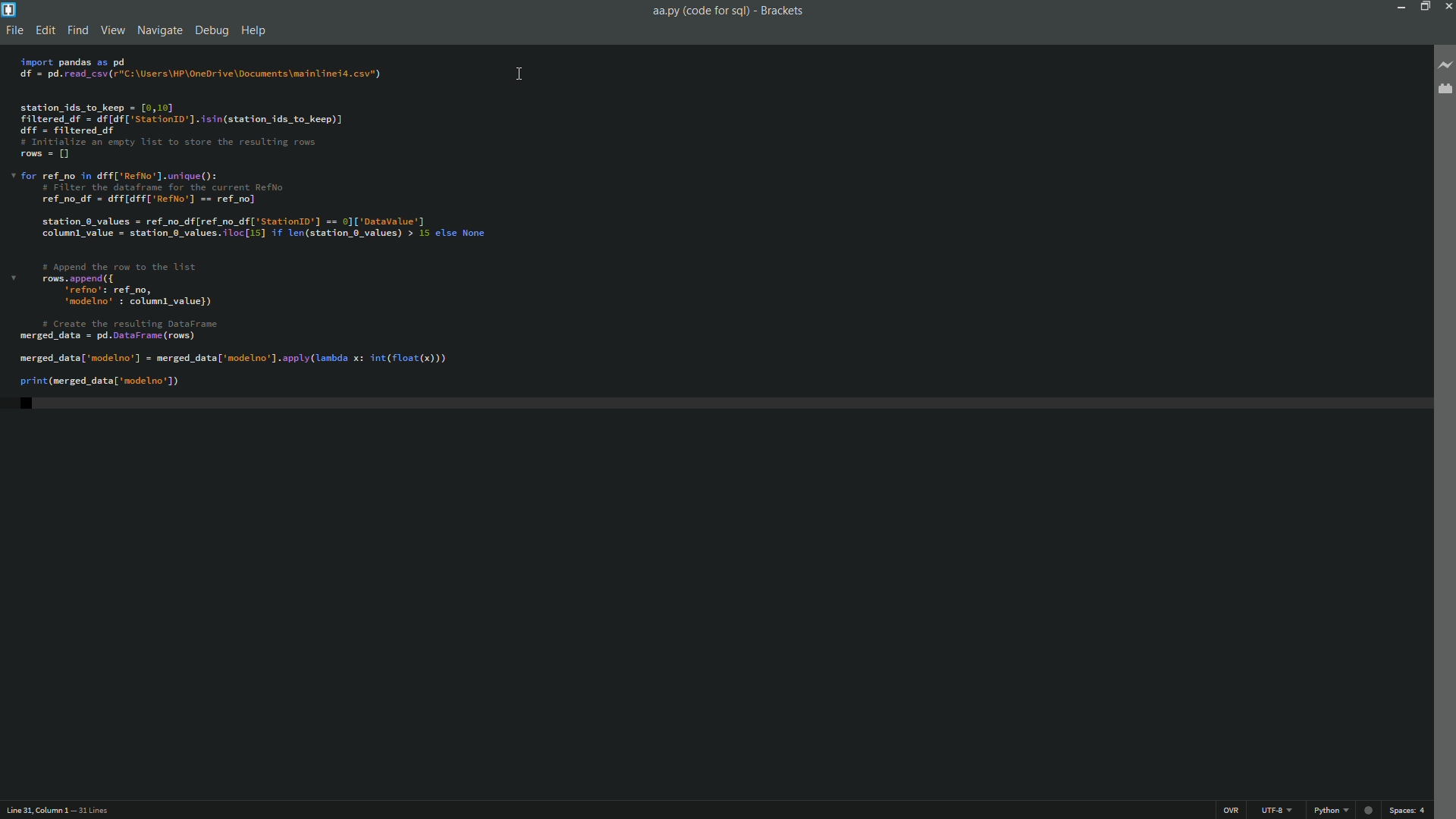 Image resolution: width=1456 pixels, height=819 pixels. What do you see at coordinates (254, 30) in the screenshot?
I see `help menu` at bounding box center [254, 30].